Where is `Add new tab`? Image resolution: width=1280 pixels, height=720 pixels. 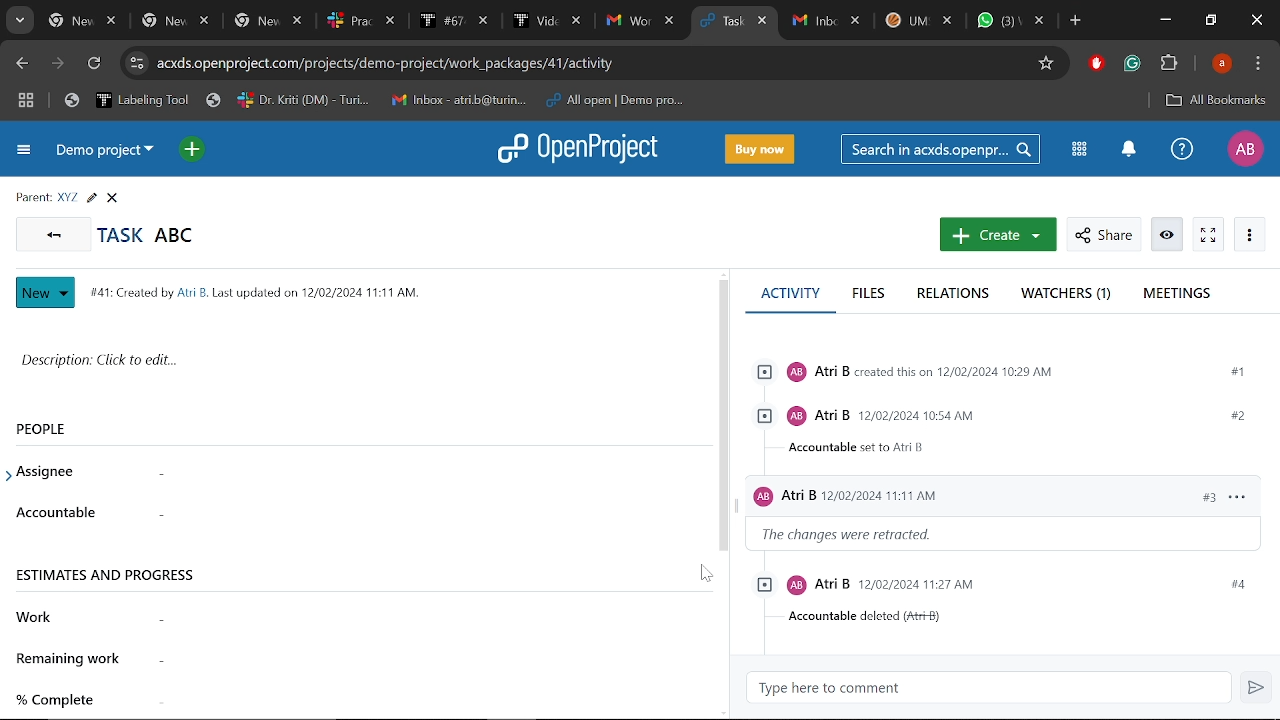
Add new tab is located at coordinates (1076, 23).